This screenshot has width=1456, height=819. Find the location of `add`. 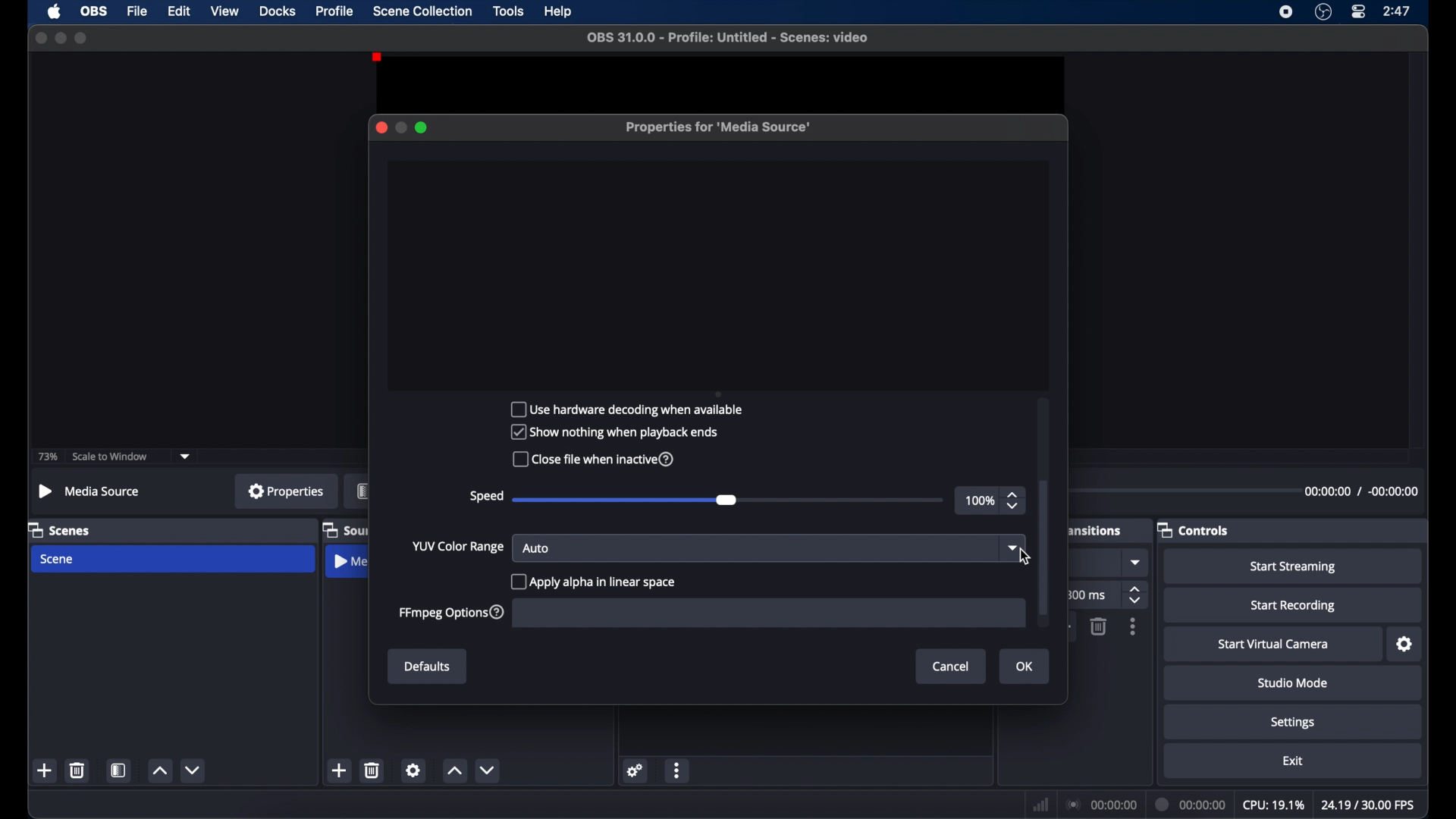

add is located at coordinates (45, 770).